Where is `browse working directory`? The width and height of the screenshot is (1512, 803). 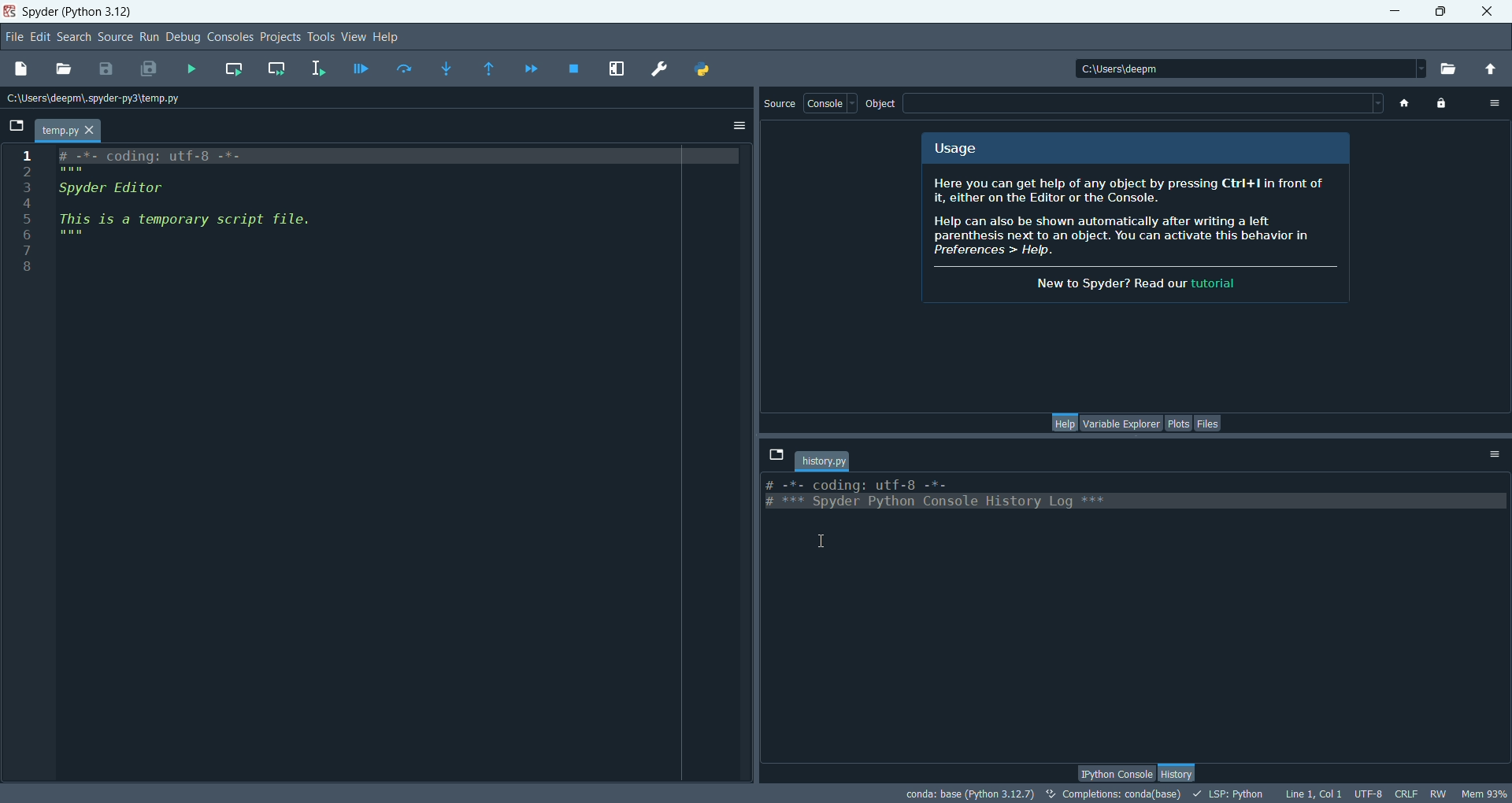 browse working directory is located at coordinates (1453, 68).